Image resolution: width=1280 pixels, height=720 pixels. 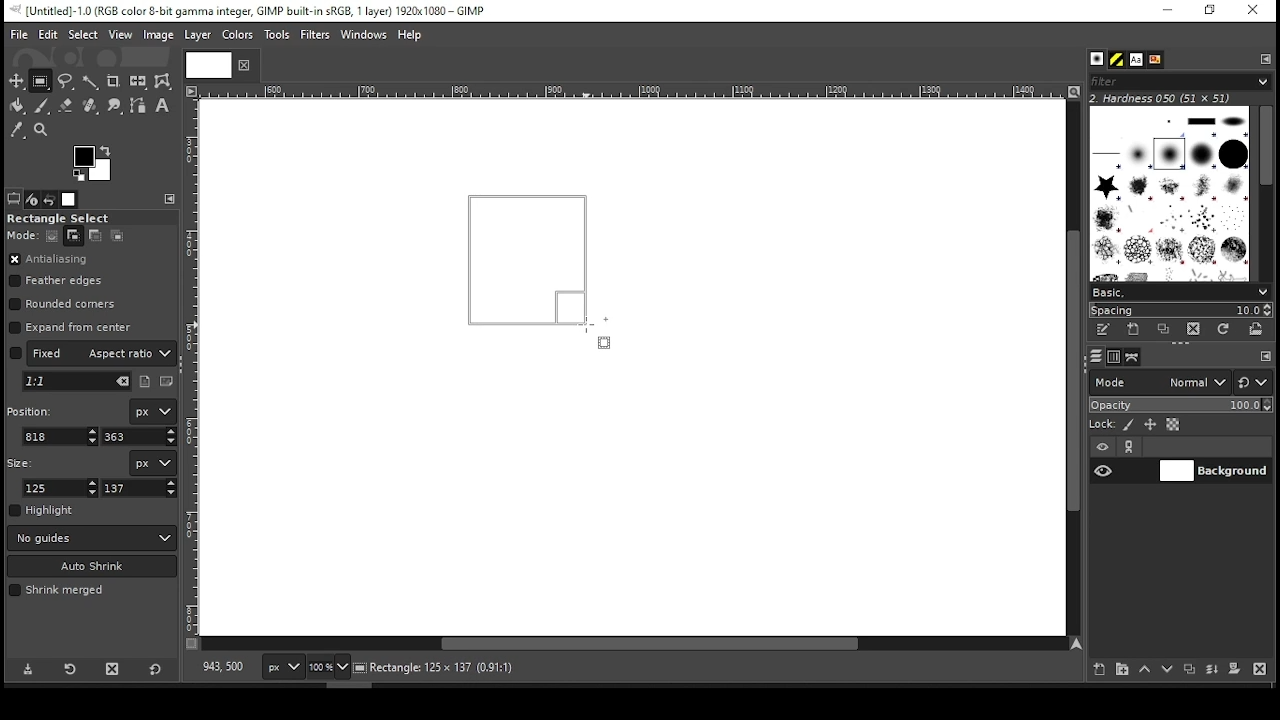 What do you see at coordinates (162, 82) in the screenshot?
I see `warp transform tool` at bounding box center [162, 82].